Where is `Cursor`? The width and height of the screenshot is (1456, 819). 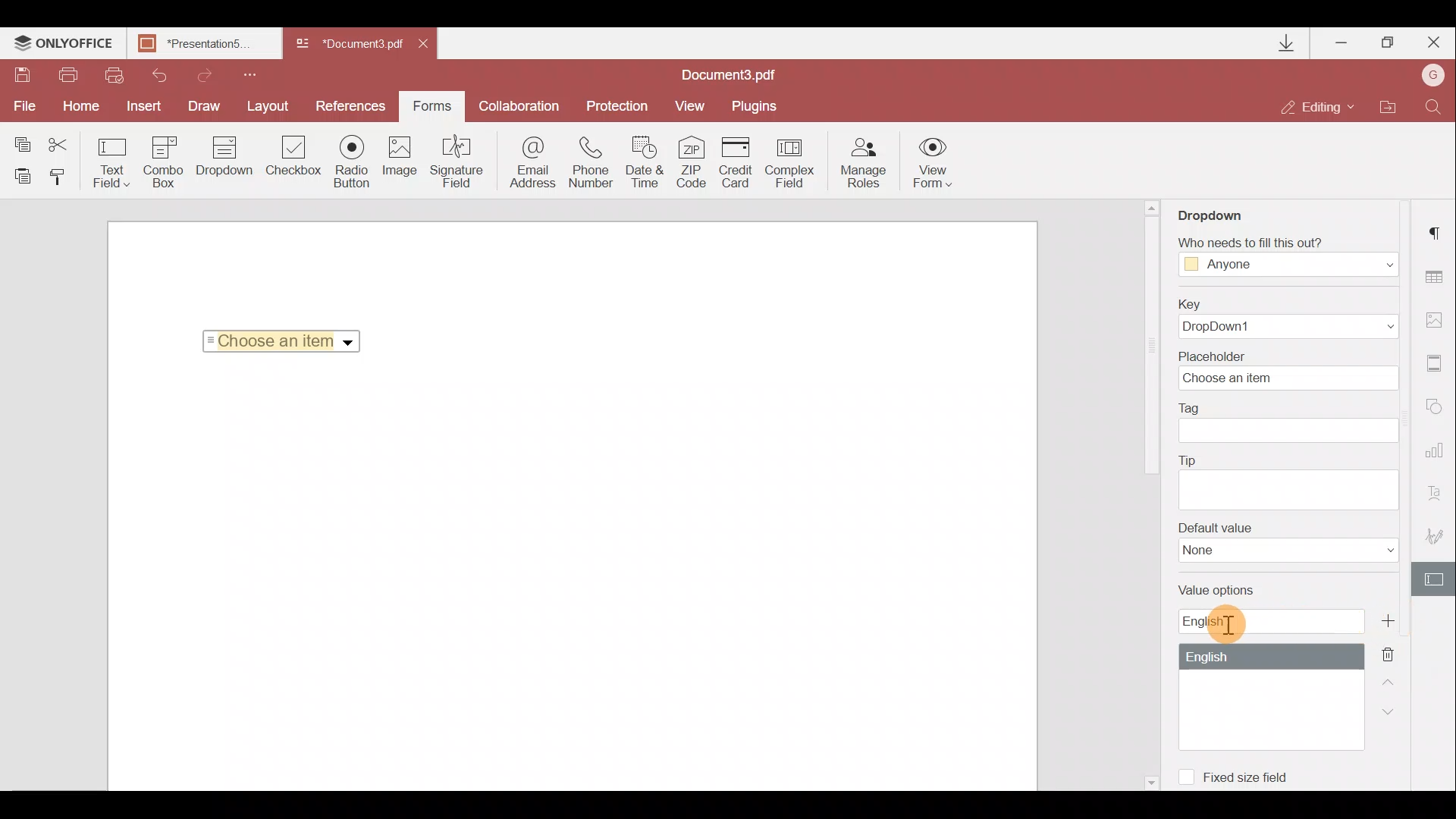
Cursor is located at coordinates (1228, 624).